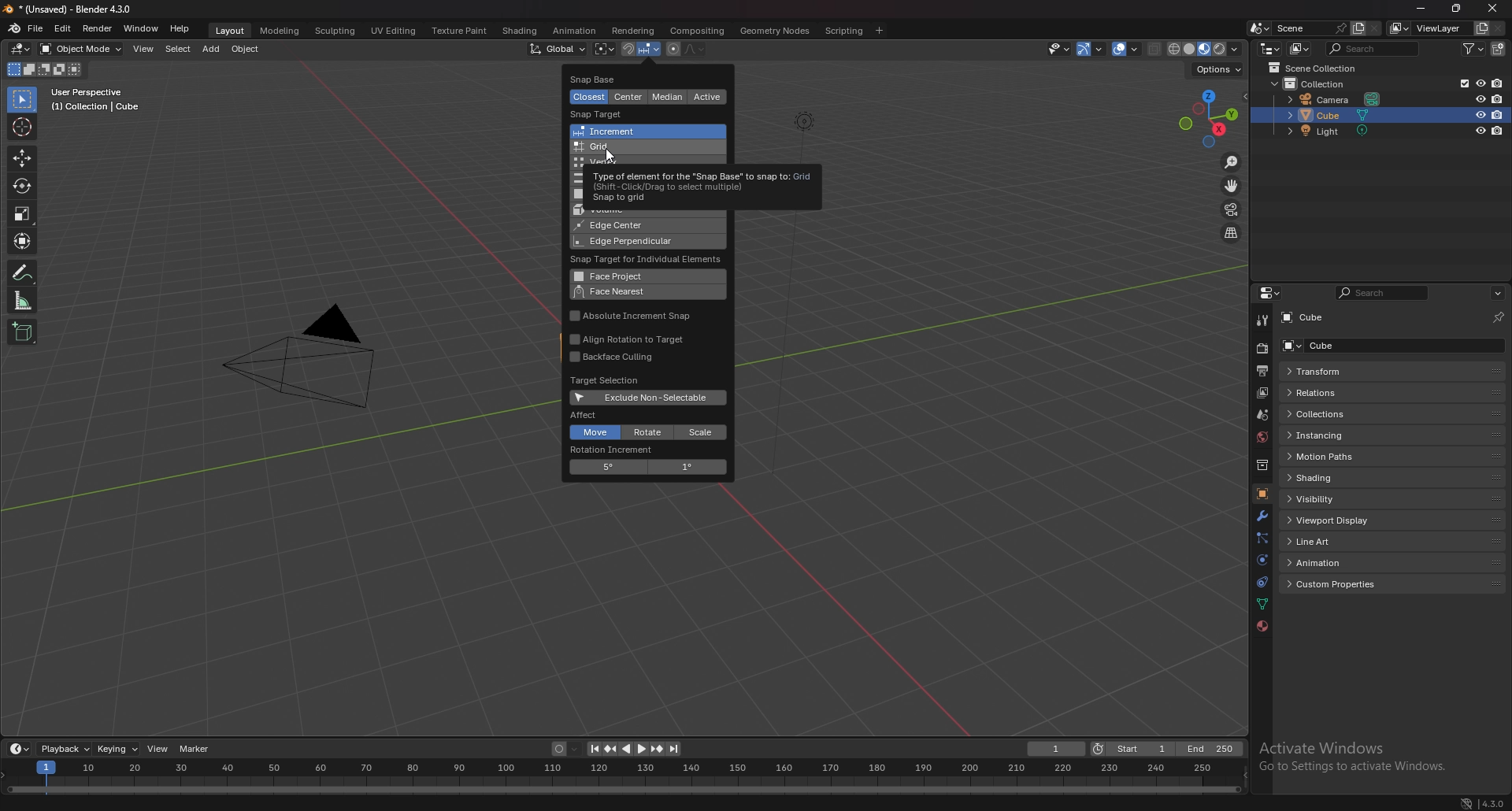 This screenshot has width=1512, height=811. Describe the element at coordinates (638, 147) in the screenshot. I see `grid` at that location.